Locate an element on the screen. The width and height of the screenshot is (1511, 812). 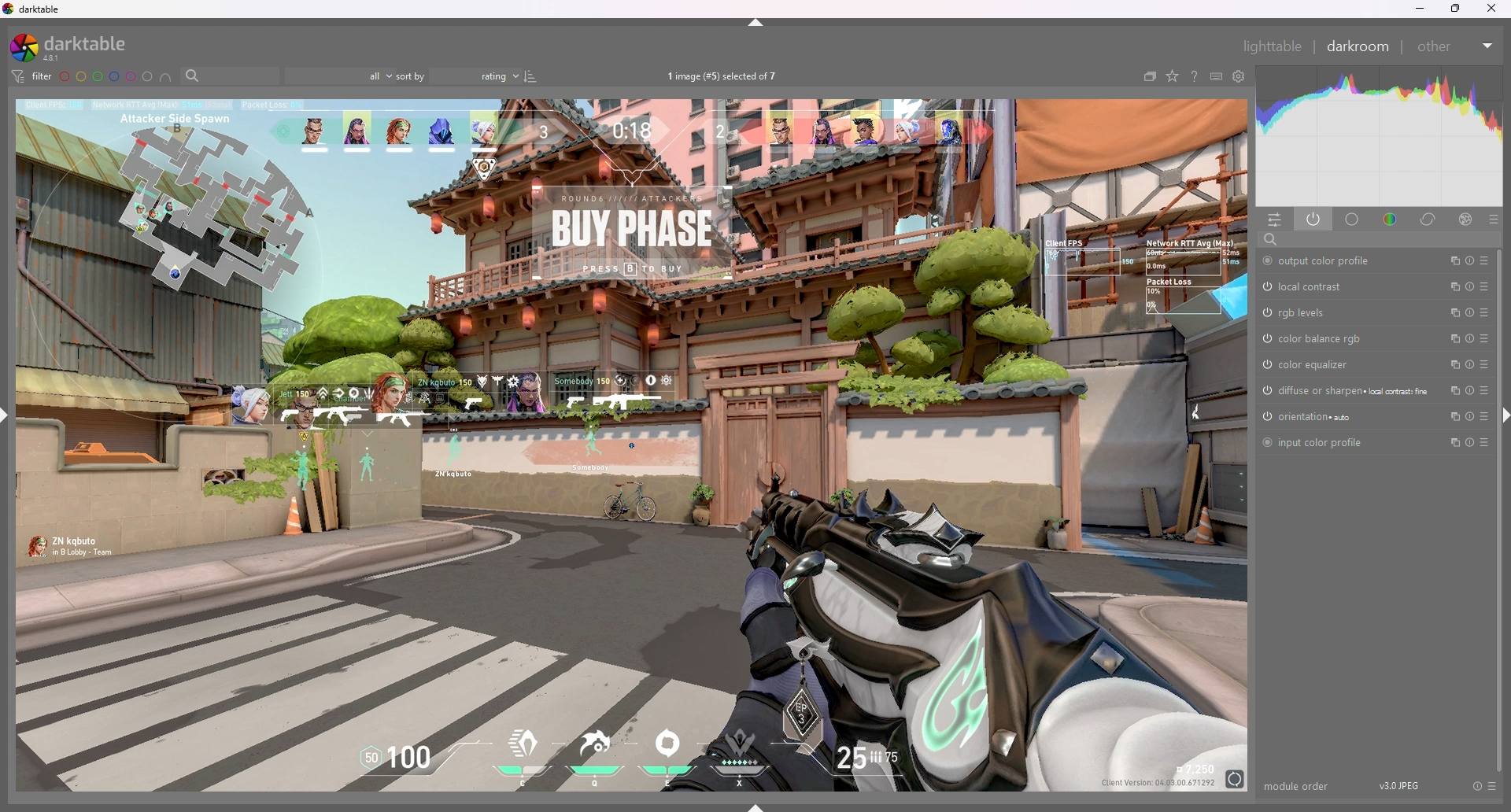
hide is located at coordinates (1502, 417).